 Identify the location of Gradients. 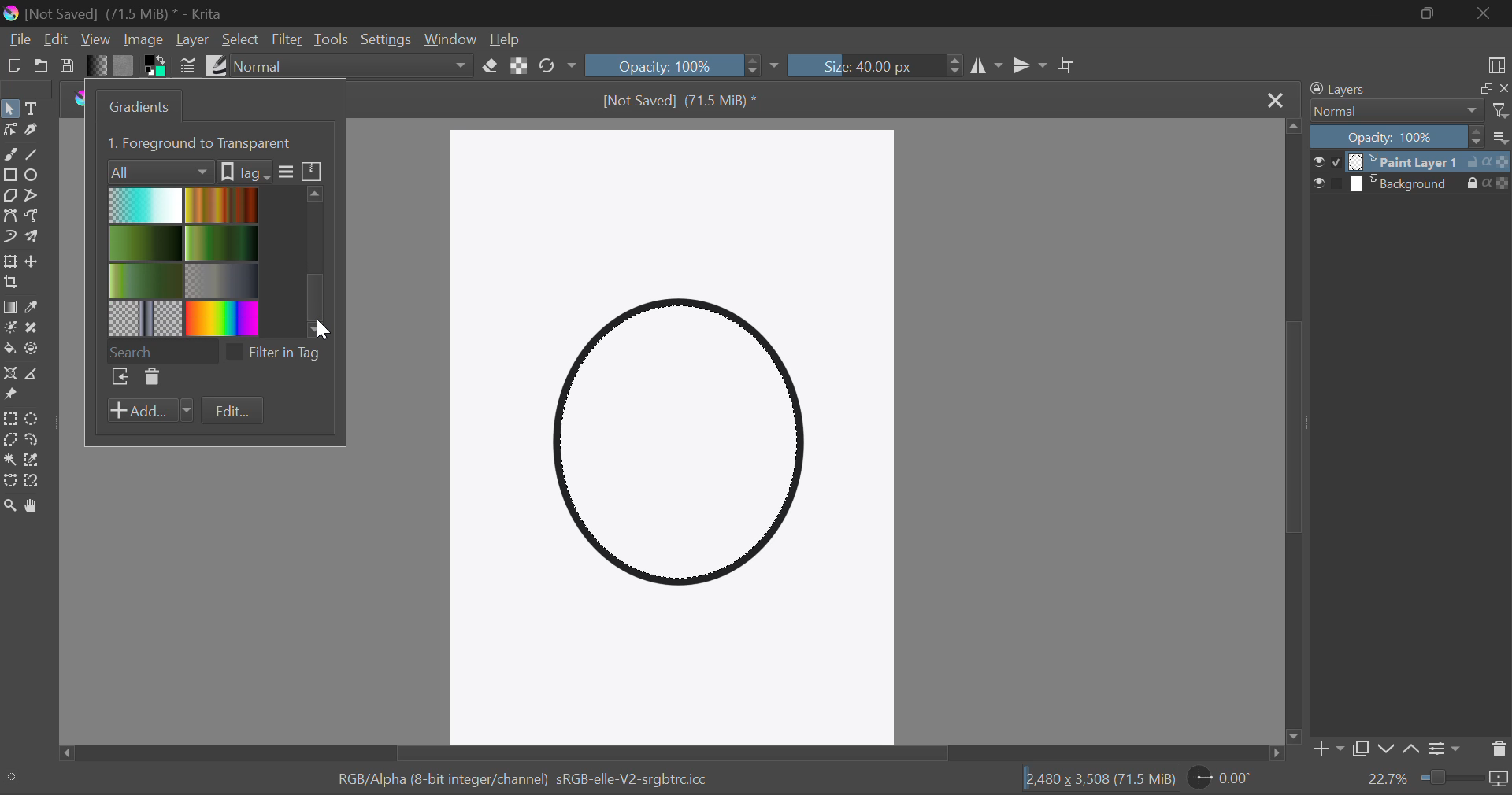
(141, 106).